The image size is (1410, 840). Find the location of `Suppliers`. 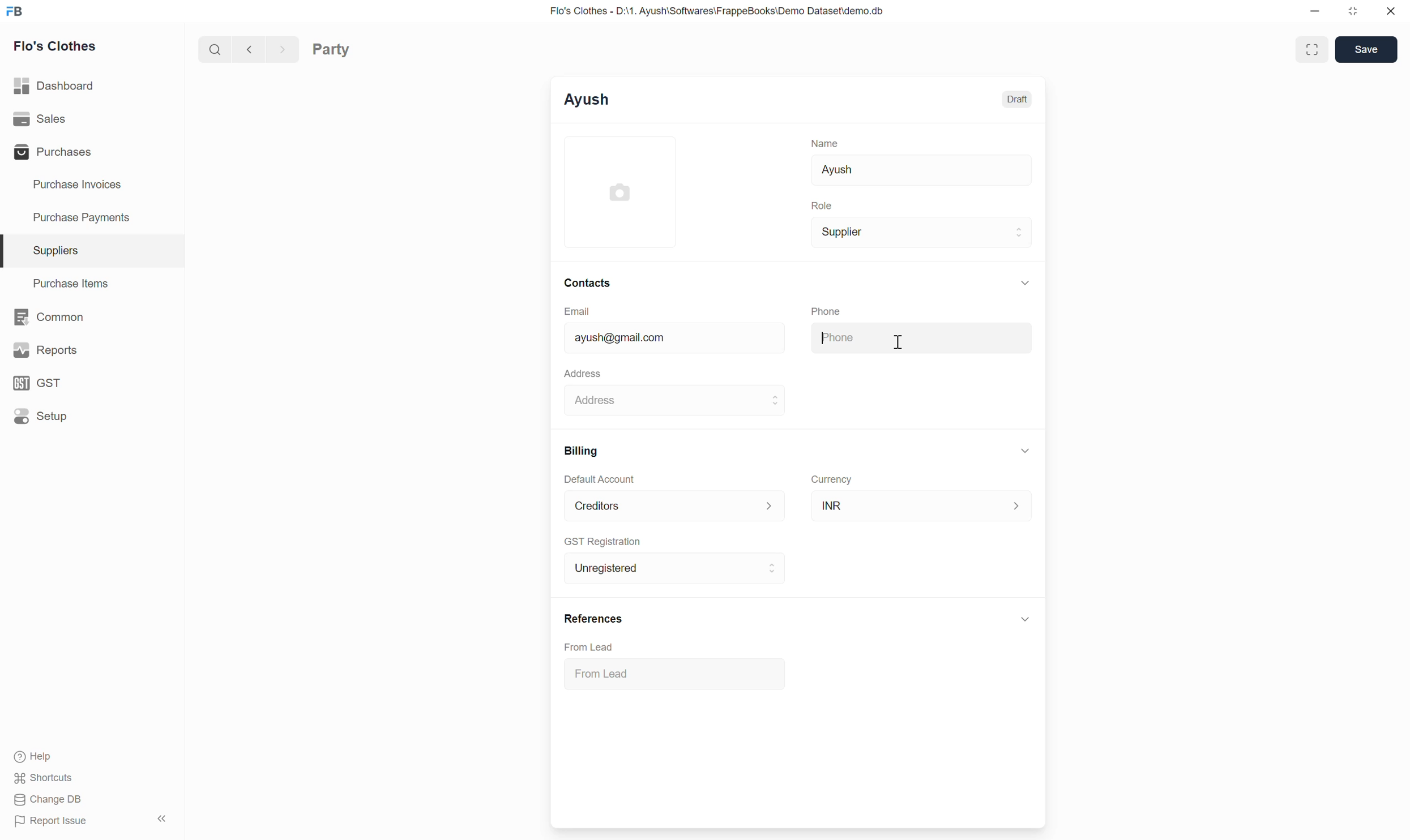

Suppliers is located at coordinates (92, 251).